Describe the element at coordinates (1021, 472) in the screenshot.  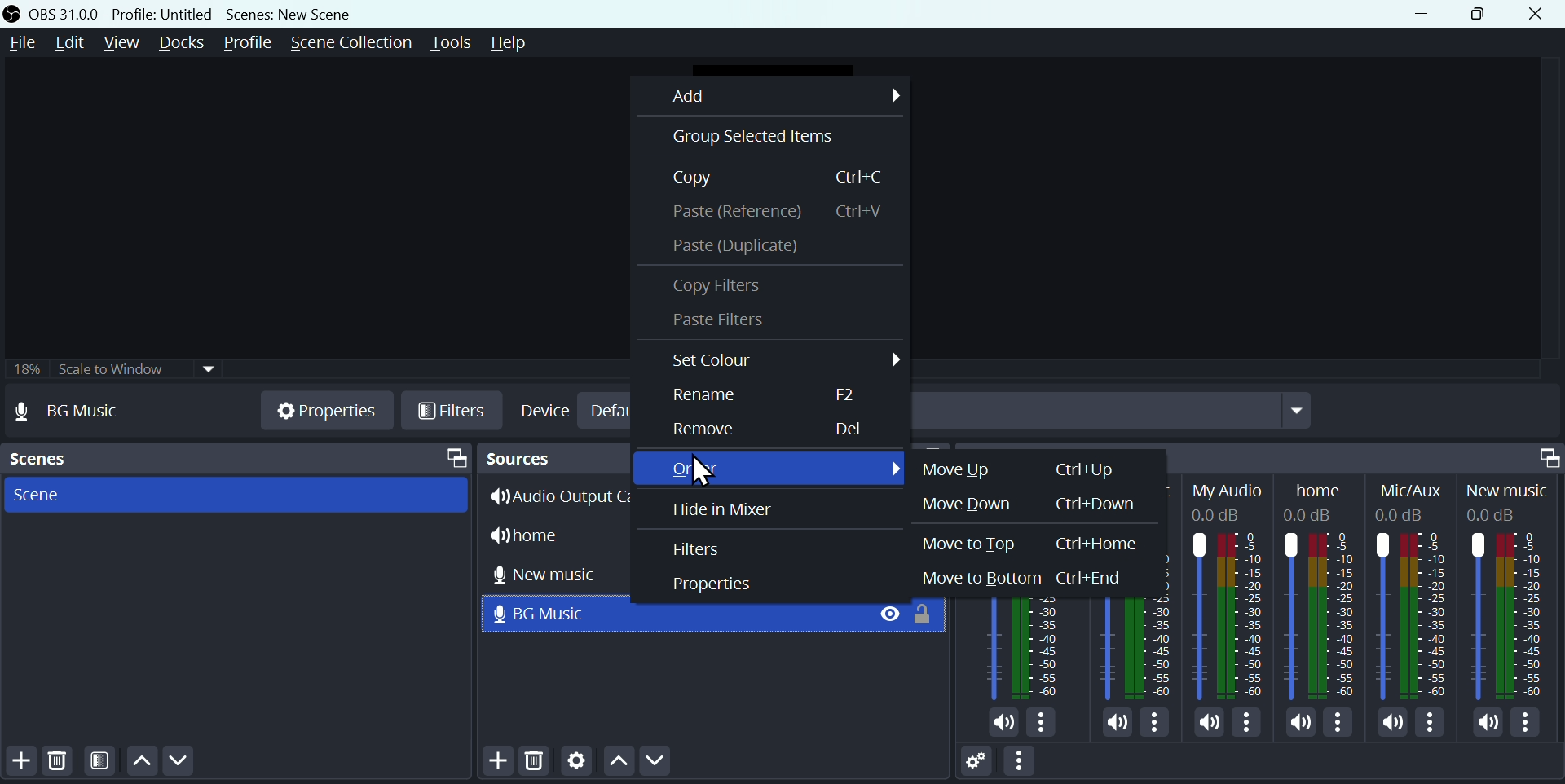
I see `Move up` at that location.